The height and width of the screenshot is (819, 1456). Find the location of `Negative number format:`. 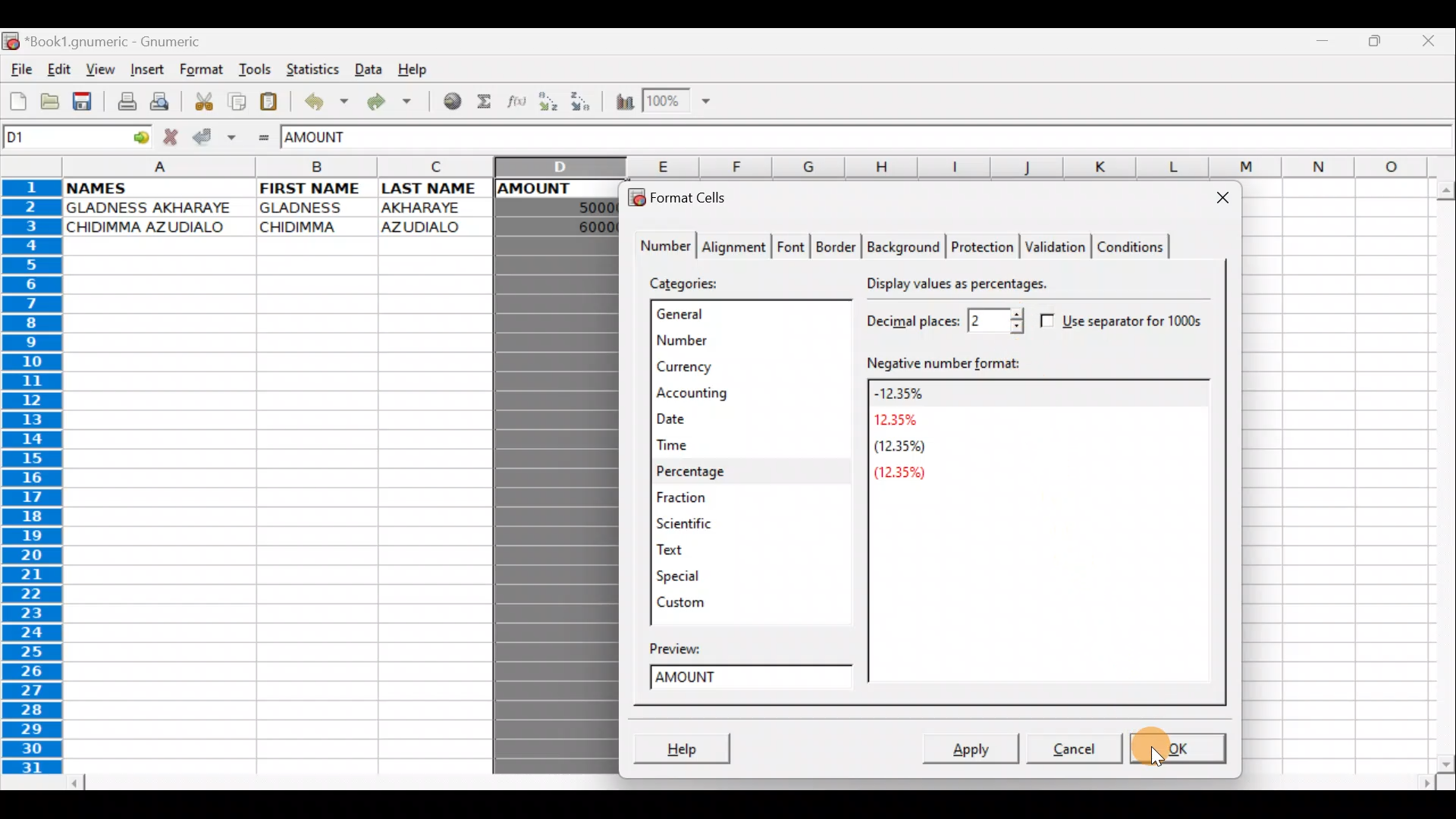

Negative number format: is located at coordinates (1034, 362).